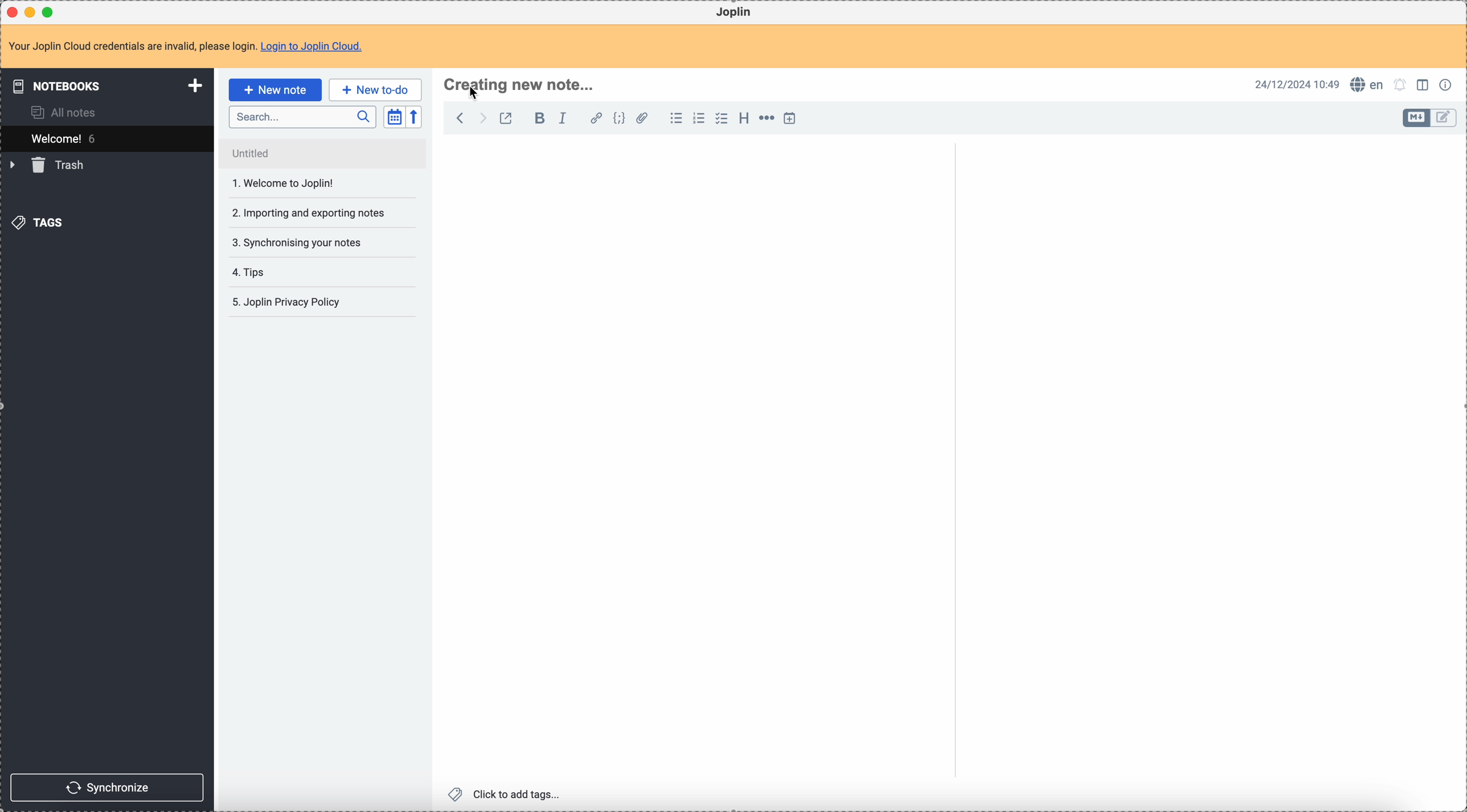  What do you see at coordinates (564, 119) in the screenshot?
I see `italic` at bounding box center [564, 119].